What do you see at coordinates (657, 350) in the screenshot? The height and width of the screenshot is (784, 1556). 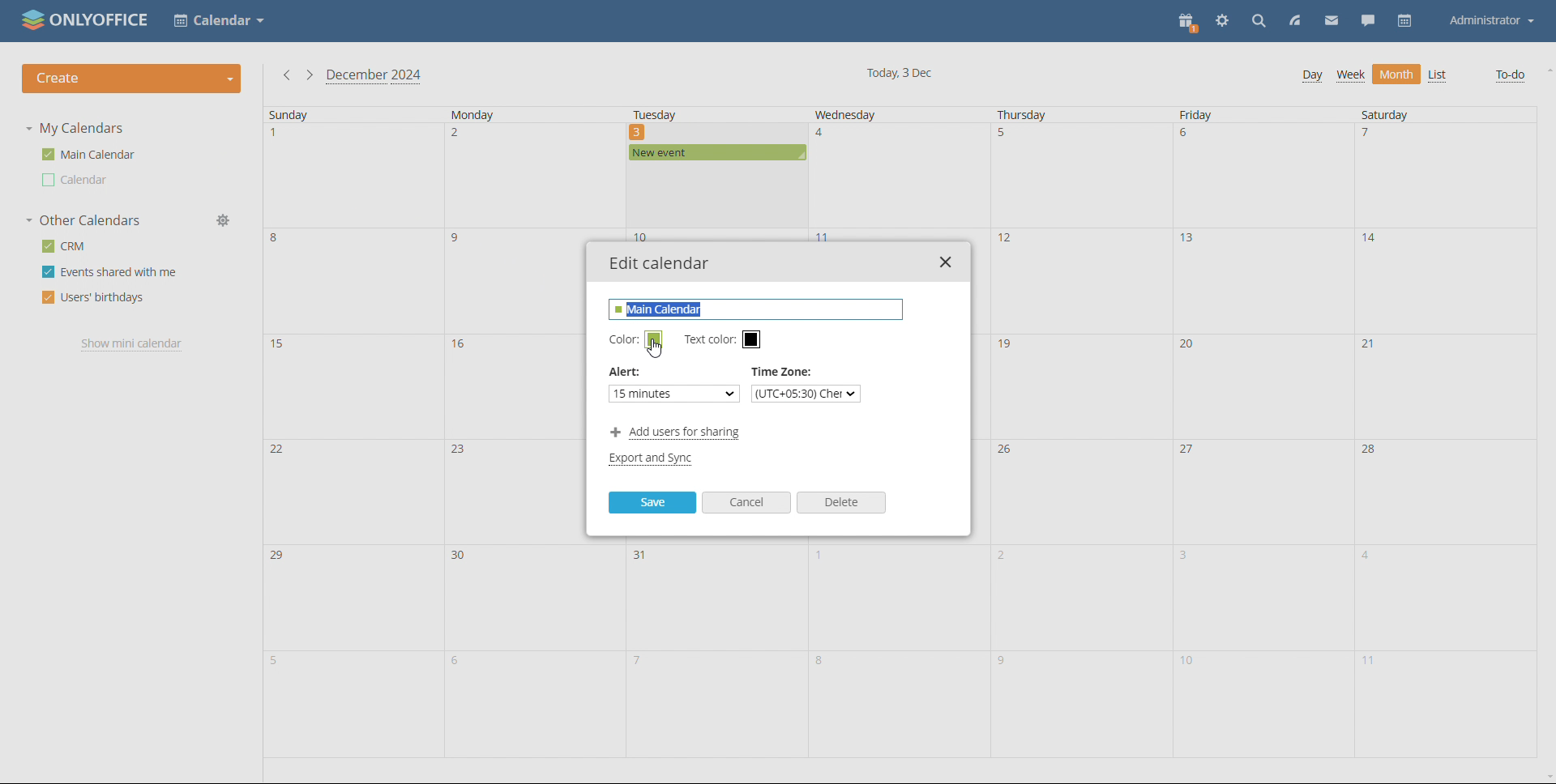 I see `cursor` at bounding box center [657, 350].